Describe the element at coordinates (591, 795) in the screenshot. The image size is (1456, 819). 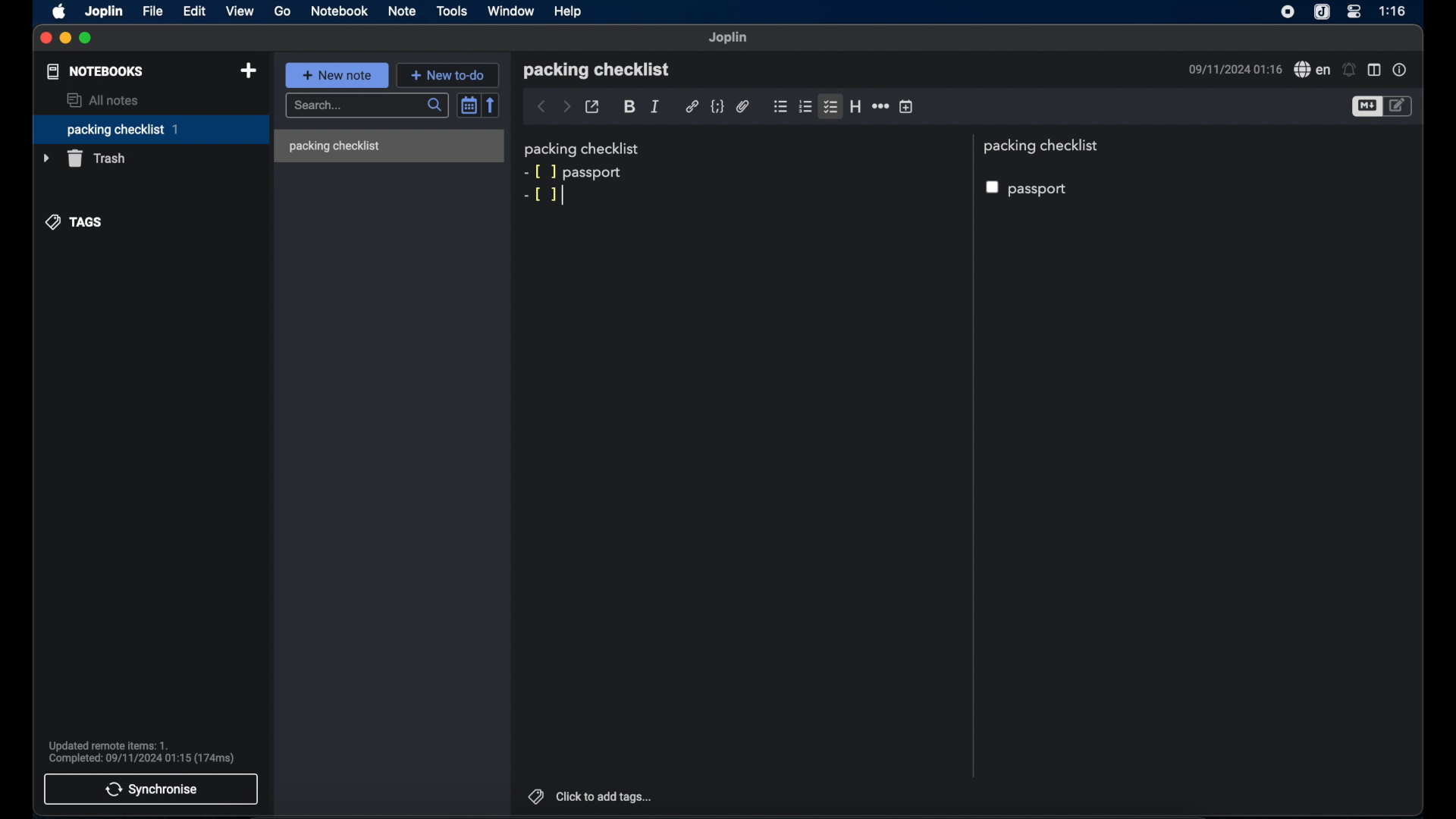
I see `click to add tags` at that location.